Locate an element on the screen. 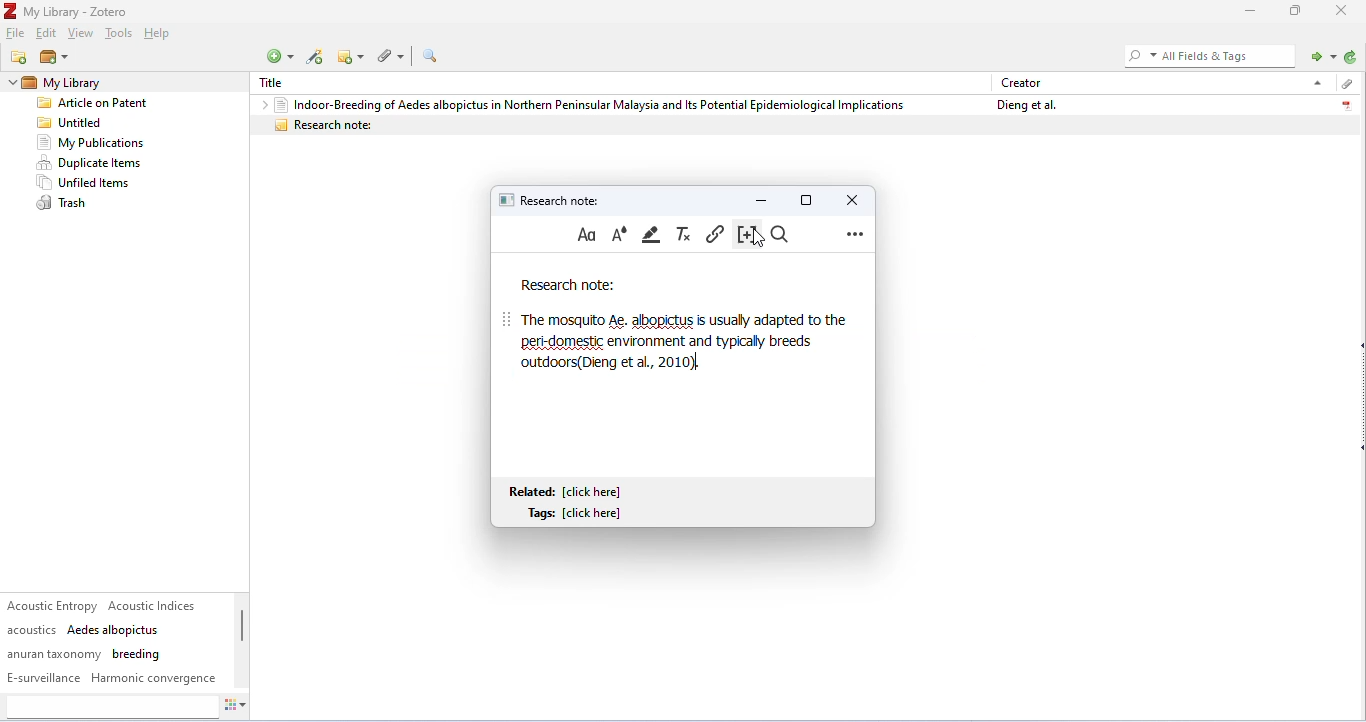 This screenshot has height=722, width=1366. Untitled is located at coordinates (74, 123).